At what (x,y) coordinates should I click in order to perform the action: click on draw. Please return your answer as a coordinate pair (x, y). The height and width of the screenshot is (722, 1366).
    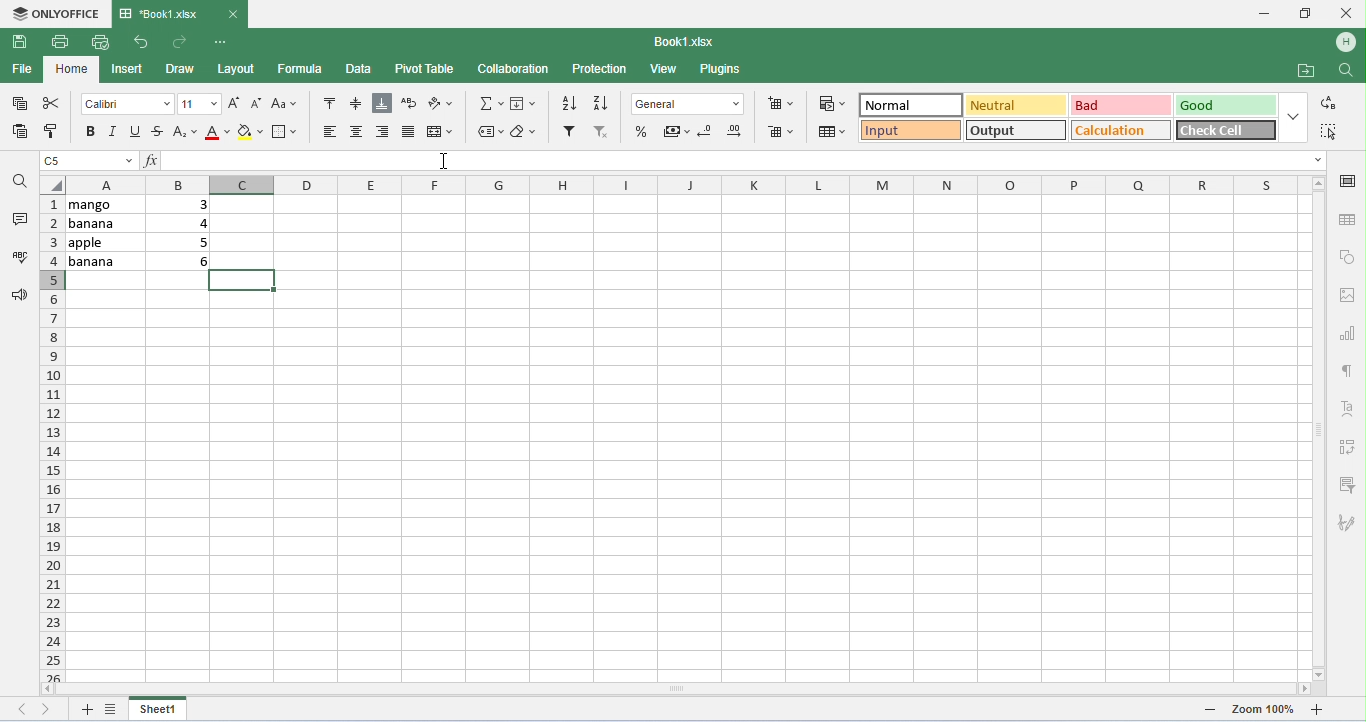
    Looking at the image, I should click on (182, 69).